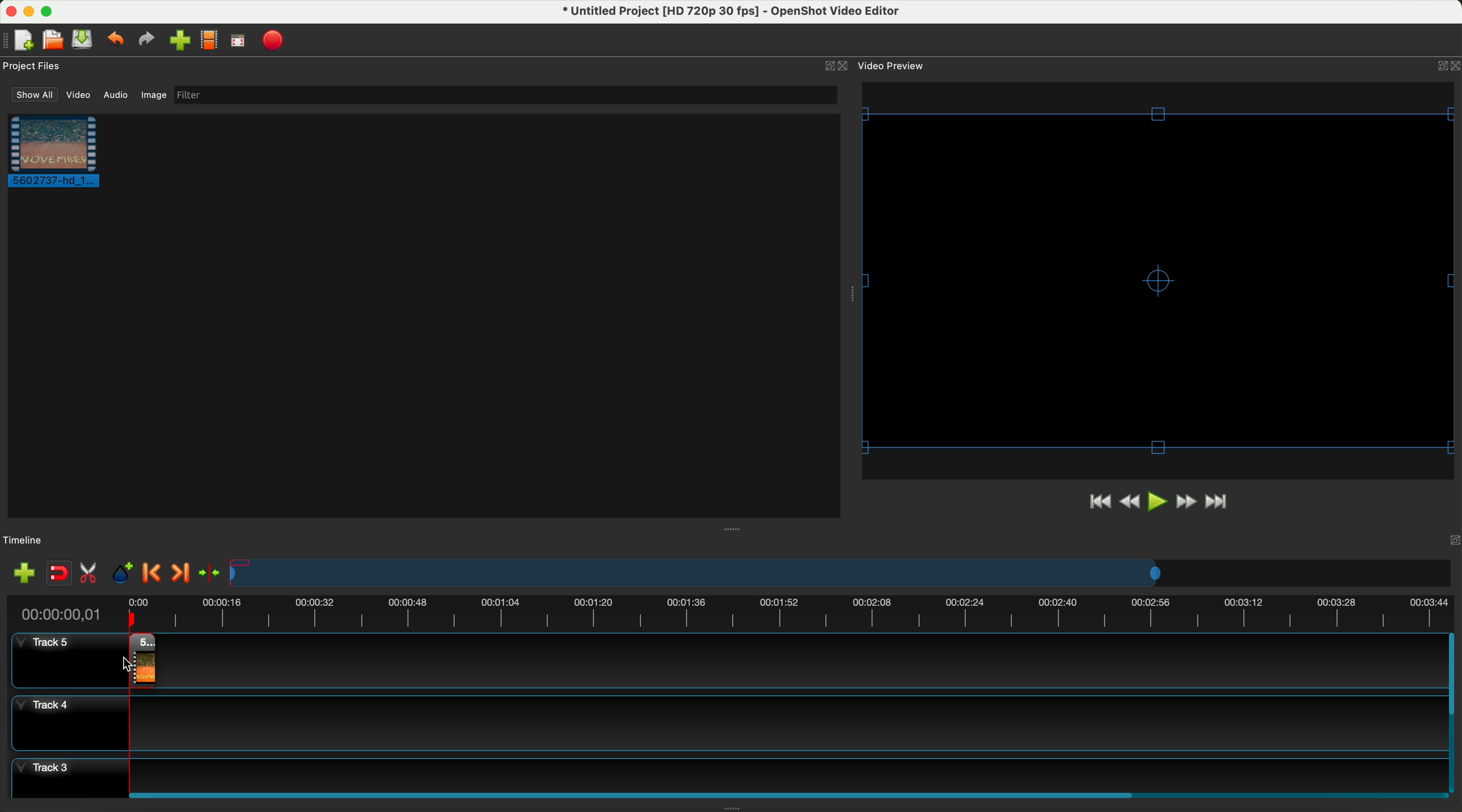 The image size is (1462, 812). I want to click on video preview, so click(892, 65).